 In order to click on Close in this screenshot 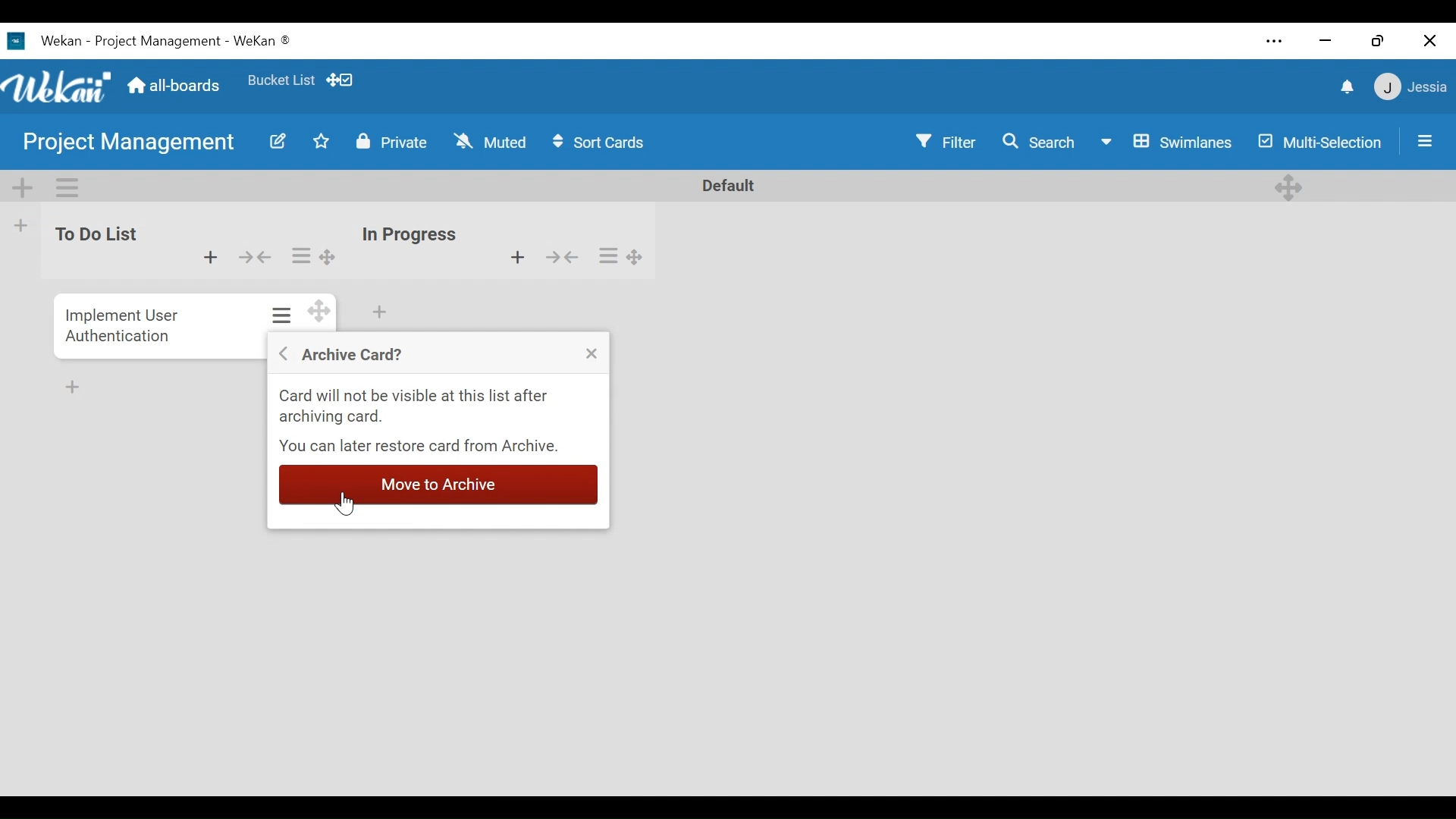, I will do `click(590, 356)`.